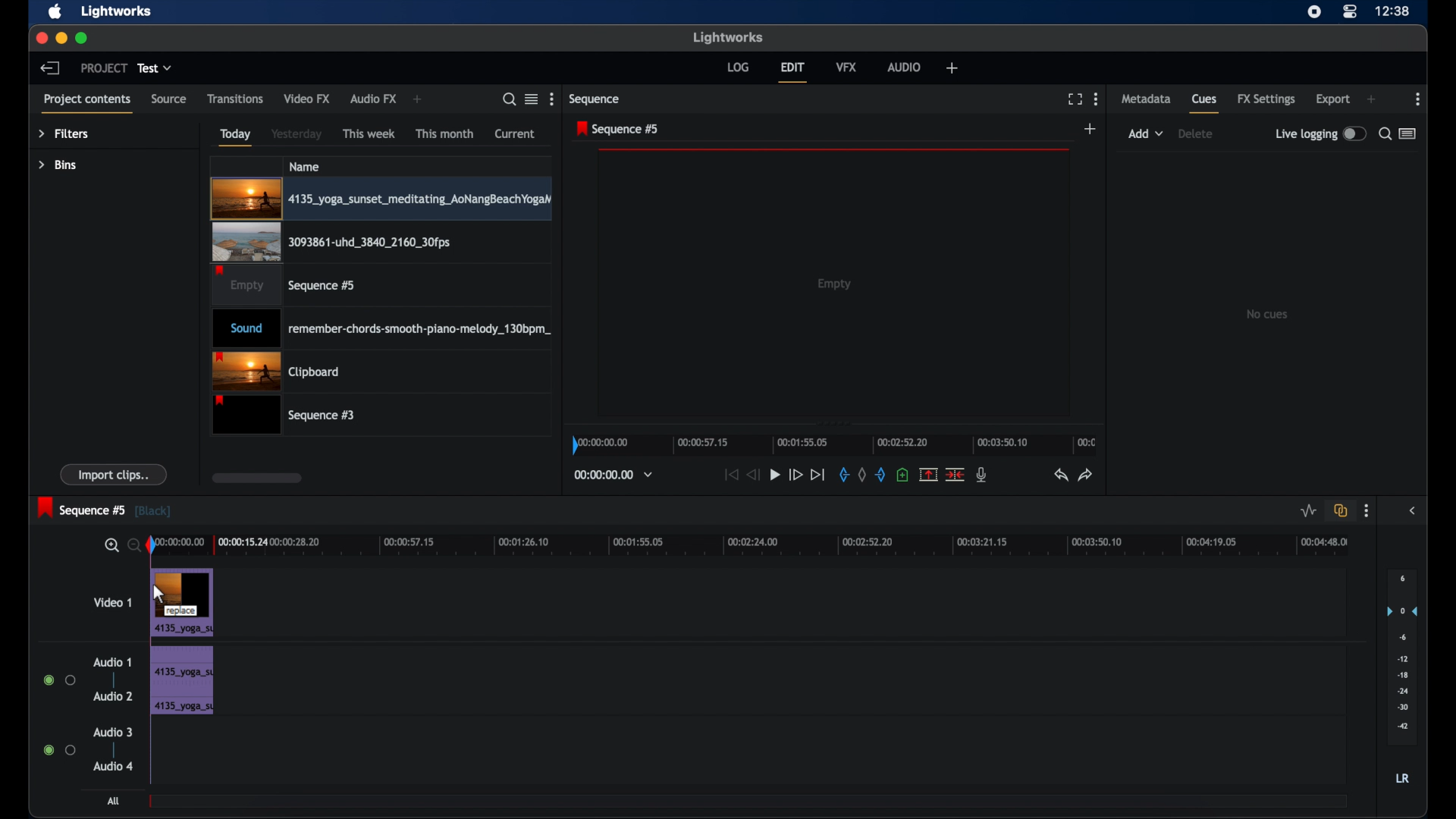  I want to click on transitions, so click(235, 99).